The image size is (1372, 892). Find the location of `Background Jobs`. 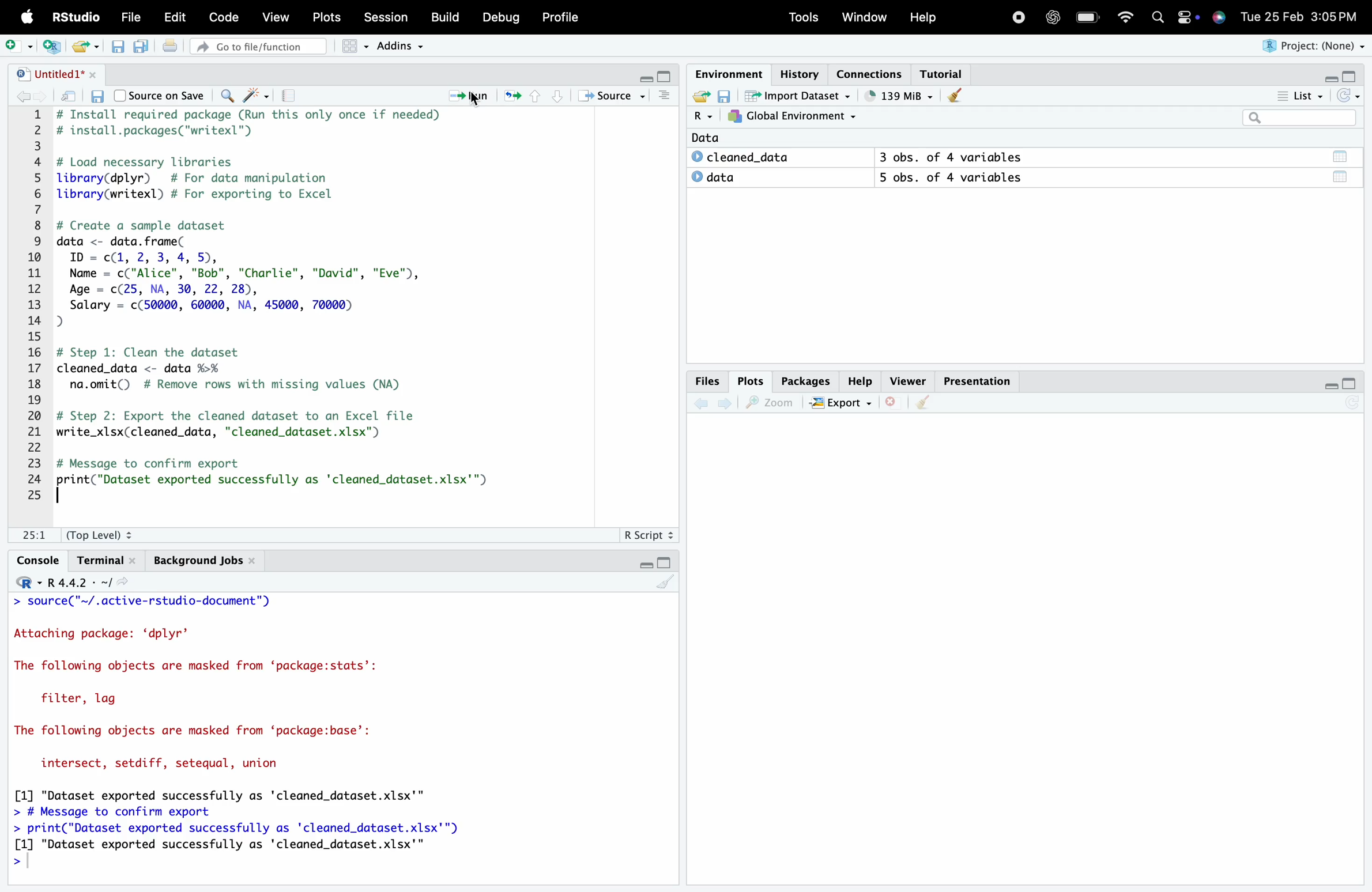

Background Jobs is located at coordinates (203, 558).